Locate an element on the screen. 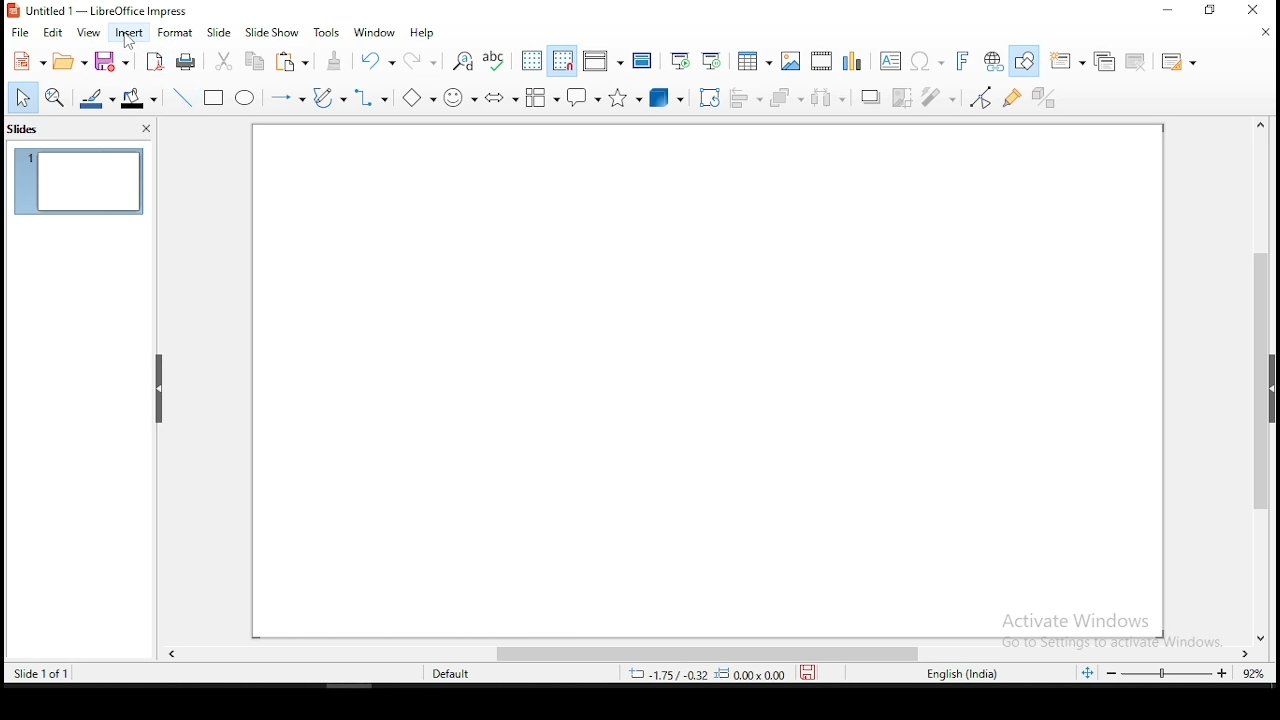 This screenshot has height=720, width=1280. window is located at coordinates (375, 32).